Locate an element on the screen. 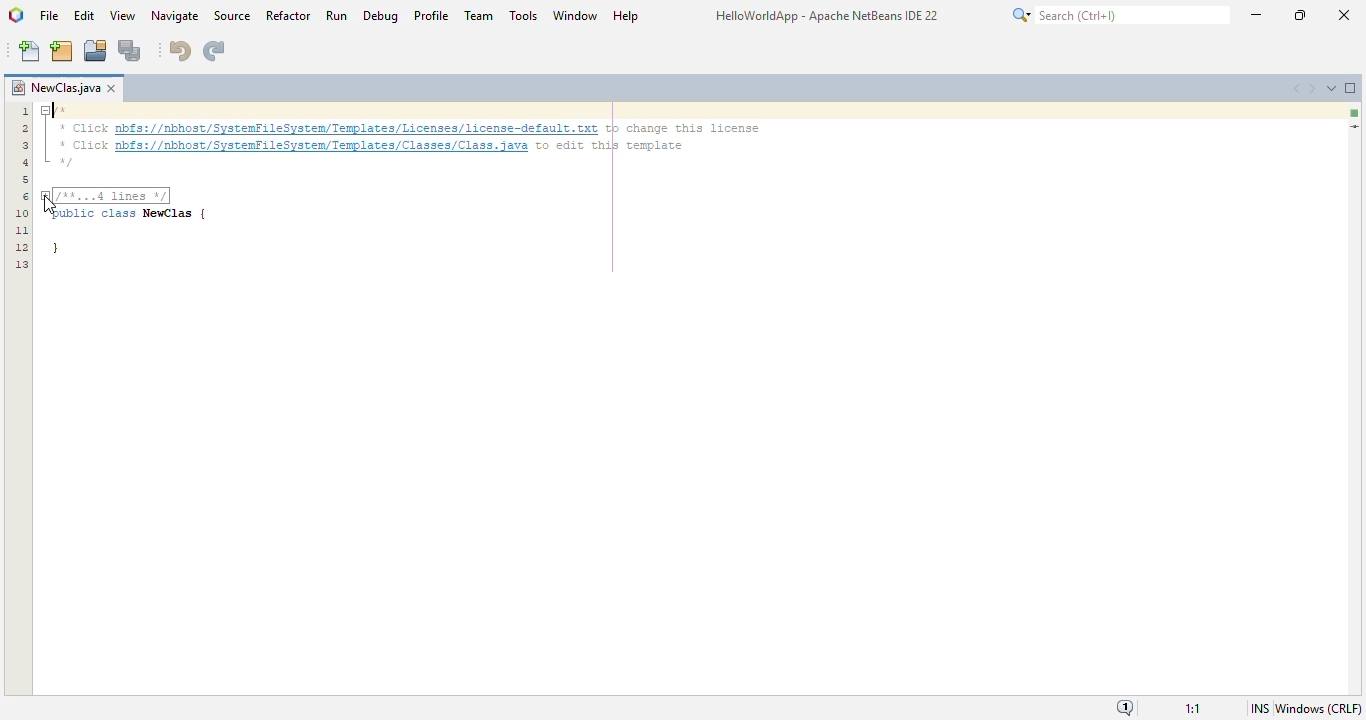  tools is located at coordinates (522, 14).